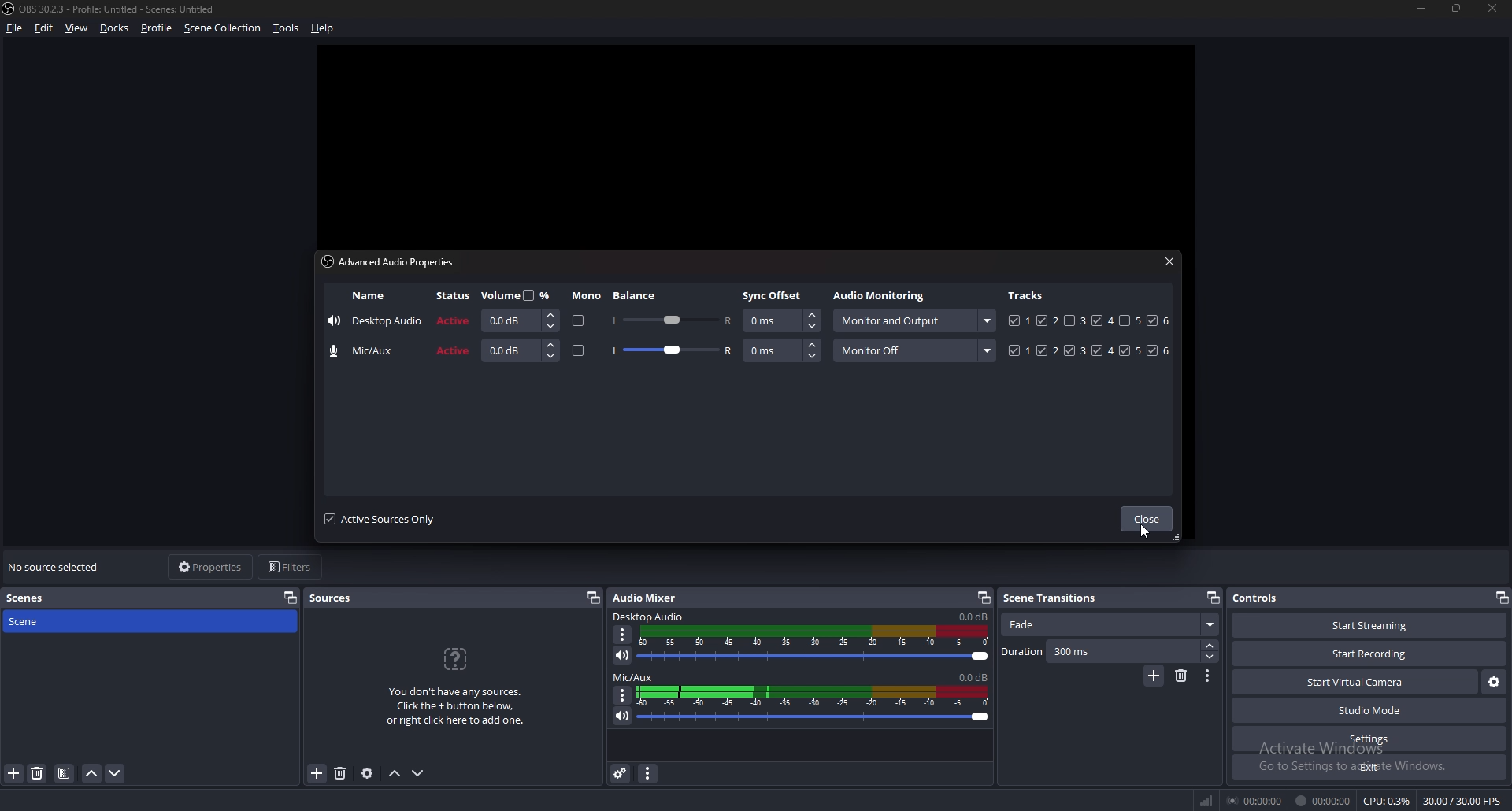 This screenshot has width=1512, height=811. Describe the element at coordinates (461, 687) in the screenshot. I see `You don't have any sources.
Click the + button below,
or right click here to add one.` at that location.